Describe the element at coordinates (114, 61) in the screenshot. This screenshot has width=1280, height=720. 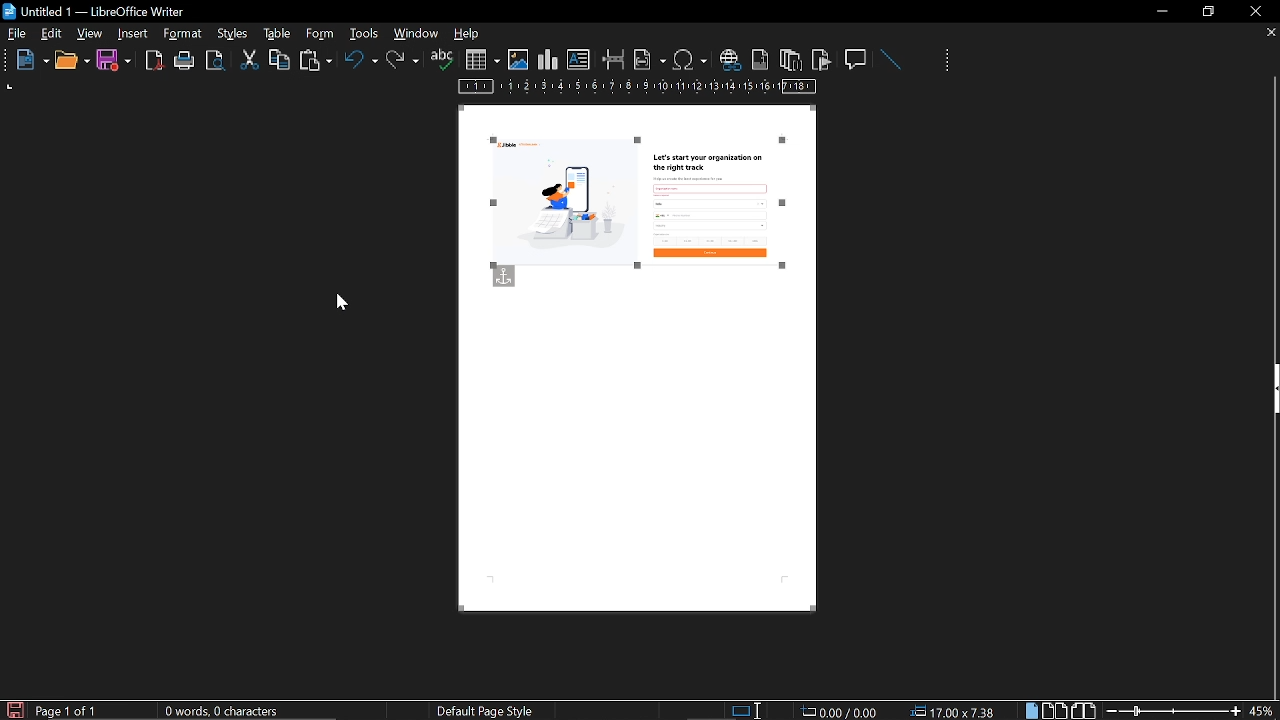
I see `save` at that location.